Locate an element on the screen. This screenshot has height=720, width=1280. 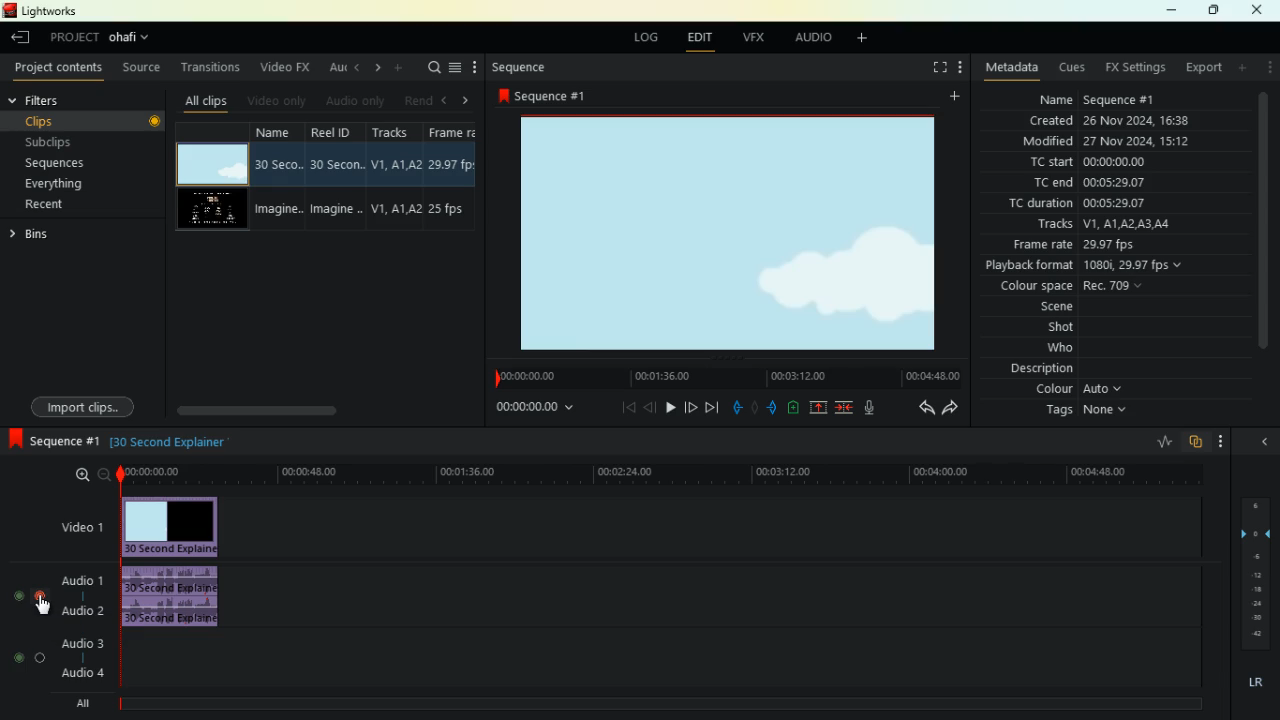
right is located at coordinates (463, 98).